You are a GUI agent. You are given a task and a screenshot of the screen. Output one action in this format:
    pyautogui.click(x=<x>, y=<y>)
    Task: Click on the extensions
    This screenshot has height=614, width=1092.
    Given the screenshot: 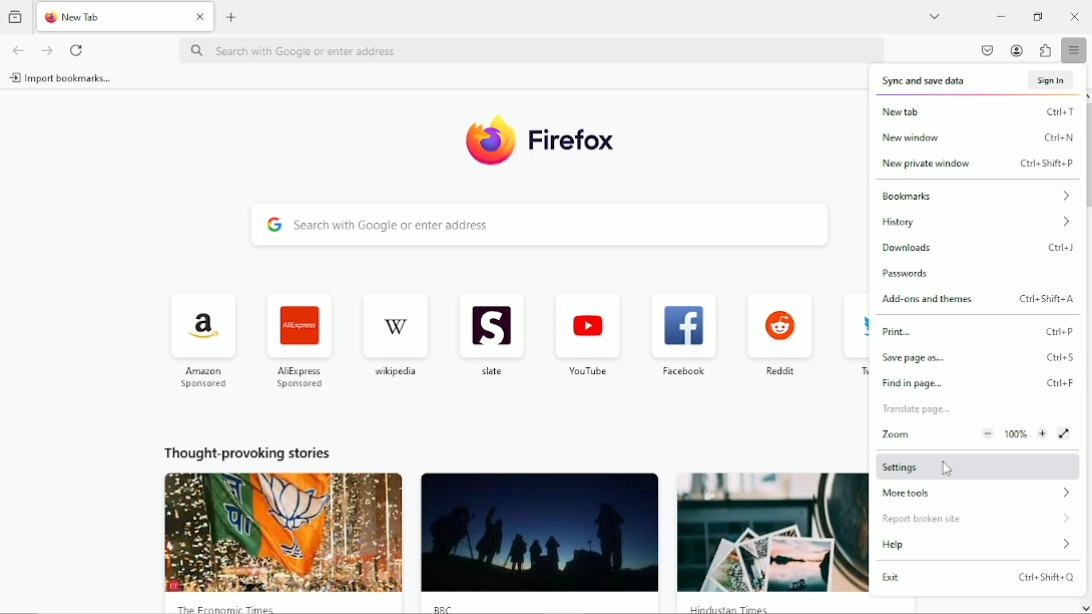 What is the action you would take?
    pyautogui.click(x=1046, y=51)
    